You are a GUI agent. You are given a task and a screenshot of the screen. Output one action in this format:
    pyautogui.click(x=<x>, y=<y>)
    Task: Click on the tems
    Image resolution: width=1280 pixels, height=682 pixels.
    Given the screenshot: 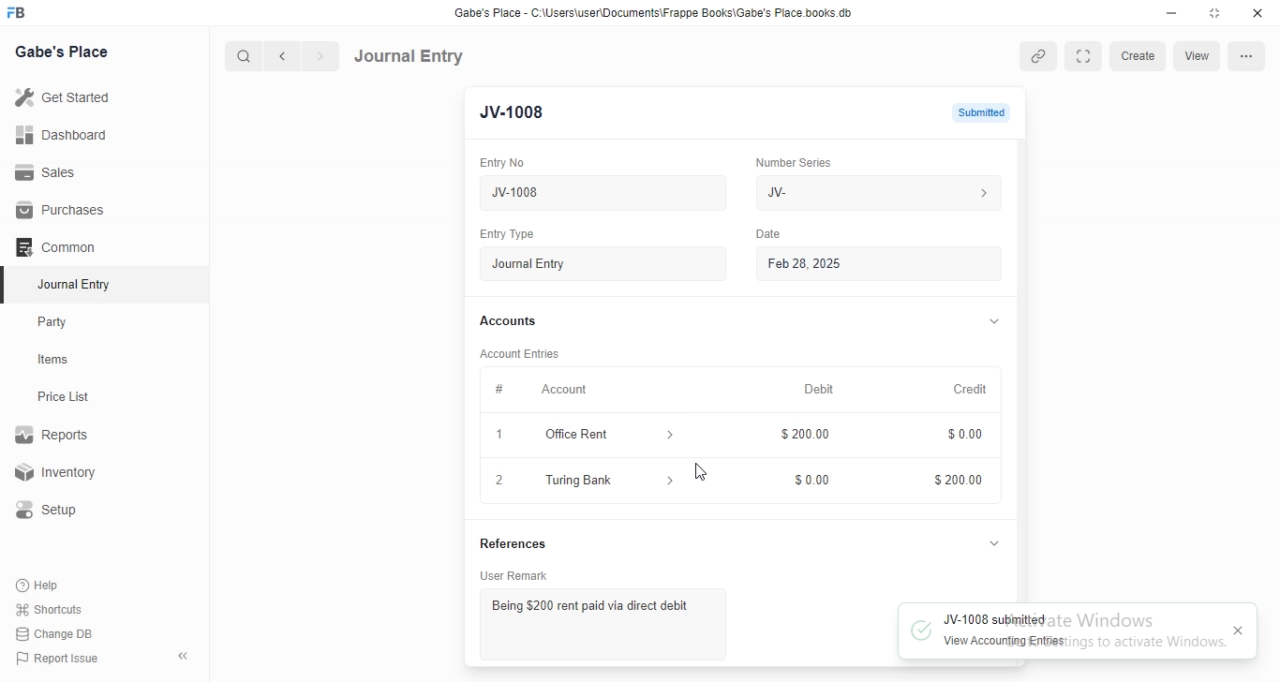 What is the action you would take?
    pyautogui.click(x=61, y=360)
    